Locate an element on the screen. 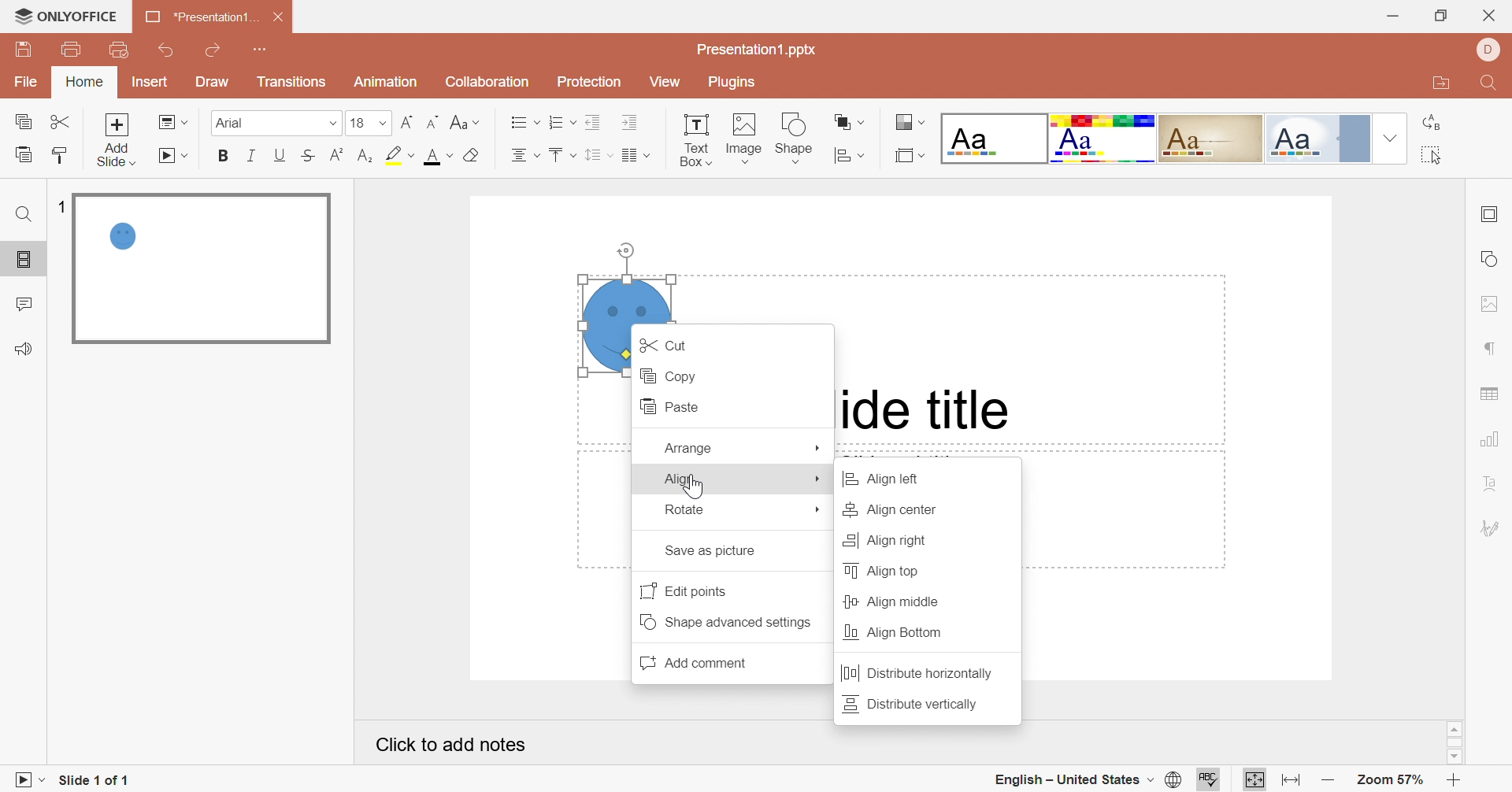  image settings is located at coordinates (1488, 303).